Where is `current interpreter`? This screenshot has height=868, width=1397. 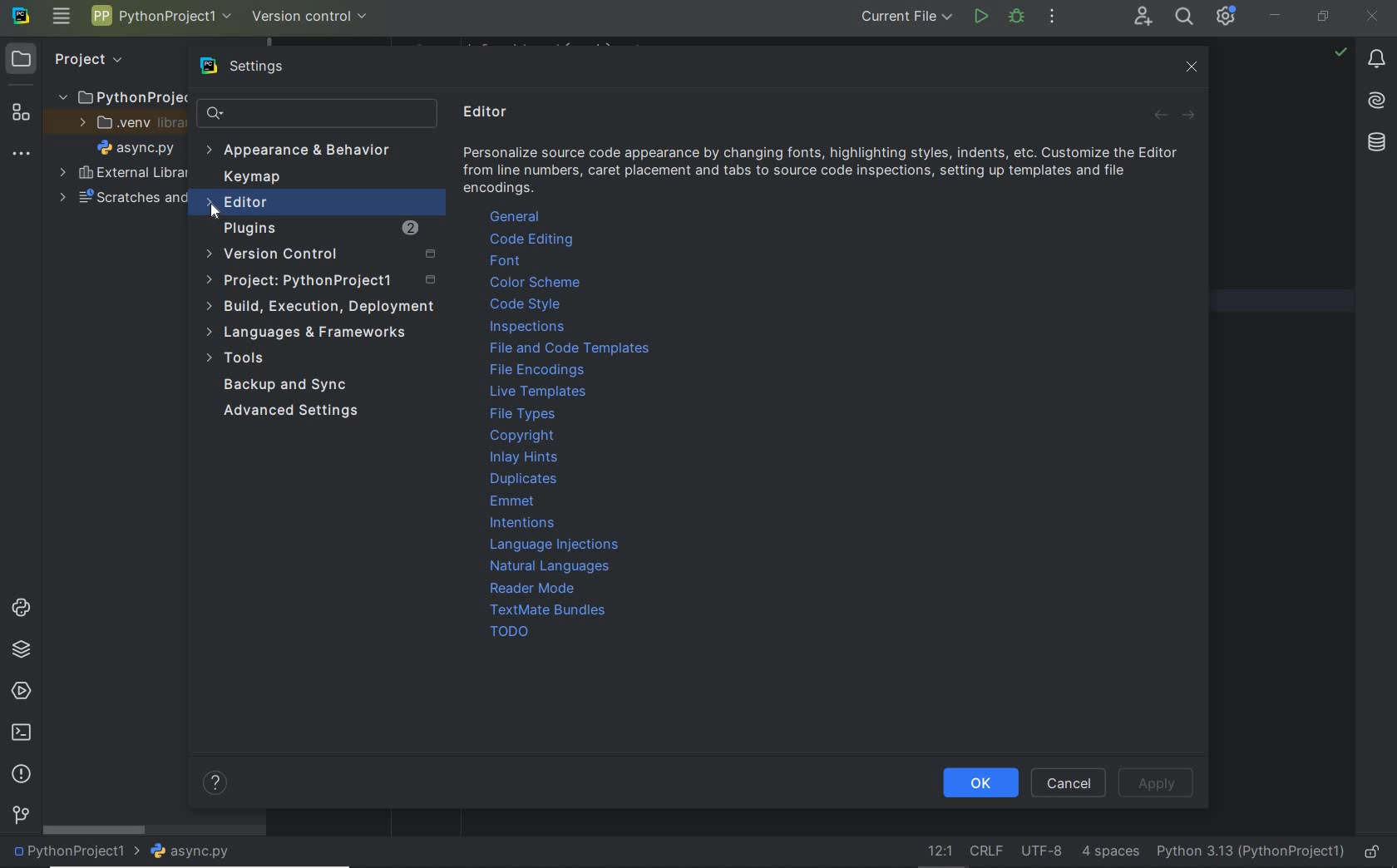
current interpreter is located at coordinates (1249, 850).